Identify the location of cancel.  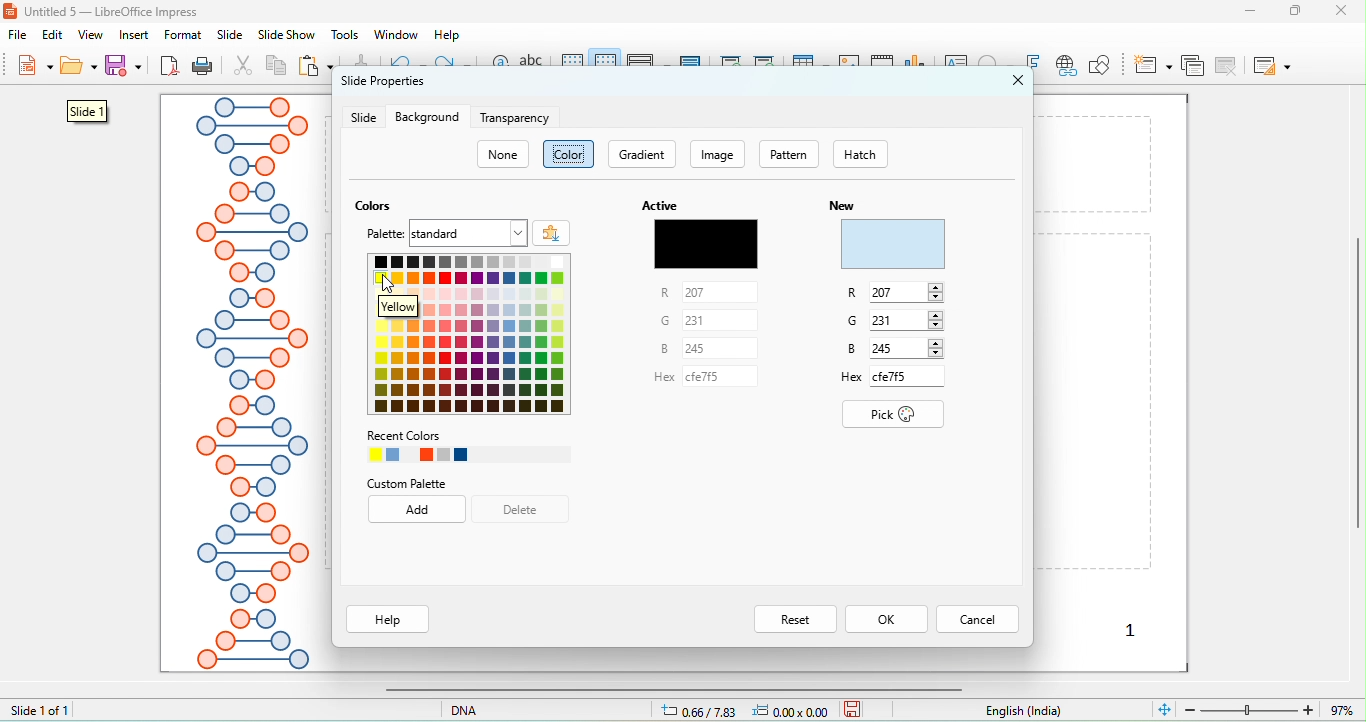
(977, 618).